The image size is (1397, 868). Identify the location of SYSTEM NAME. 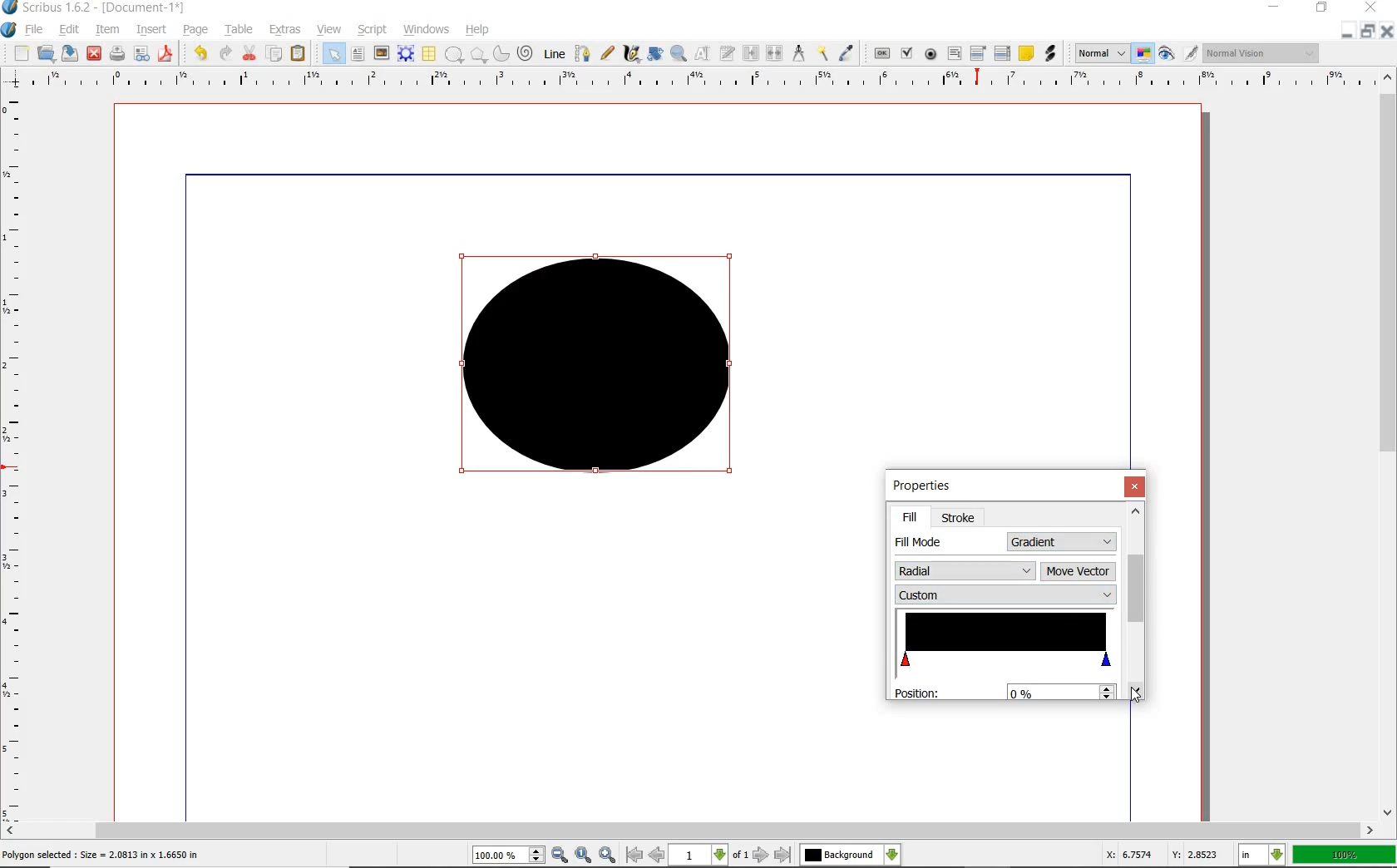
(95, 7).